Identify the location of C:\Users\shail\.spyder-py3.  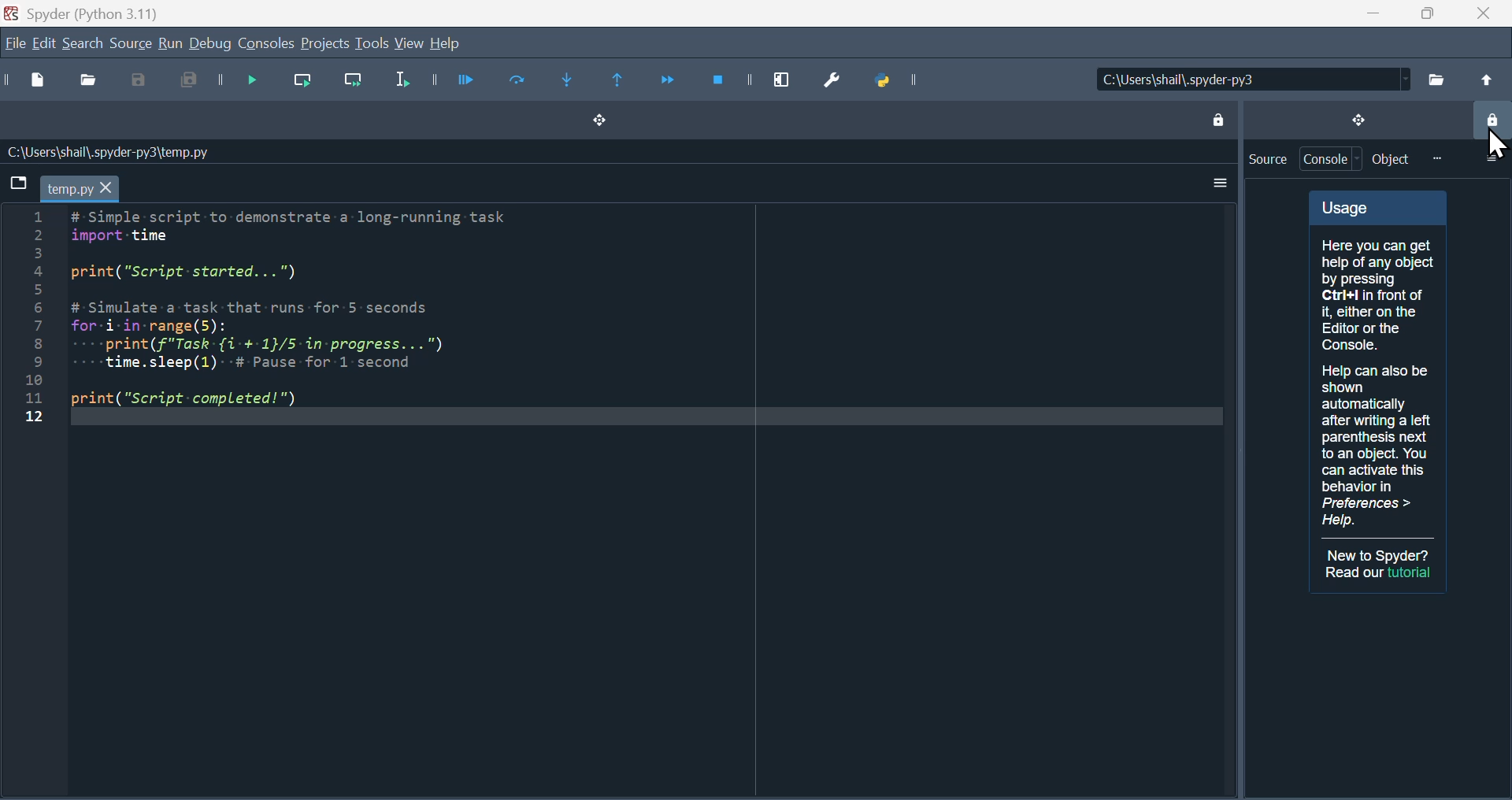
(1254, 80).